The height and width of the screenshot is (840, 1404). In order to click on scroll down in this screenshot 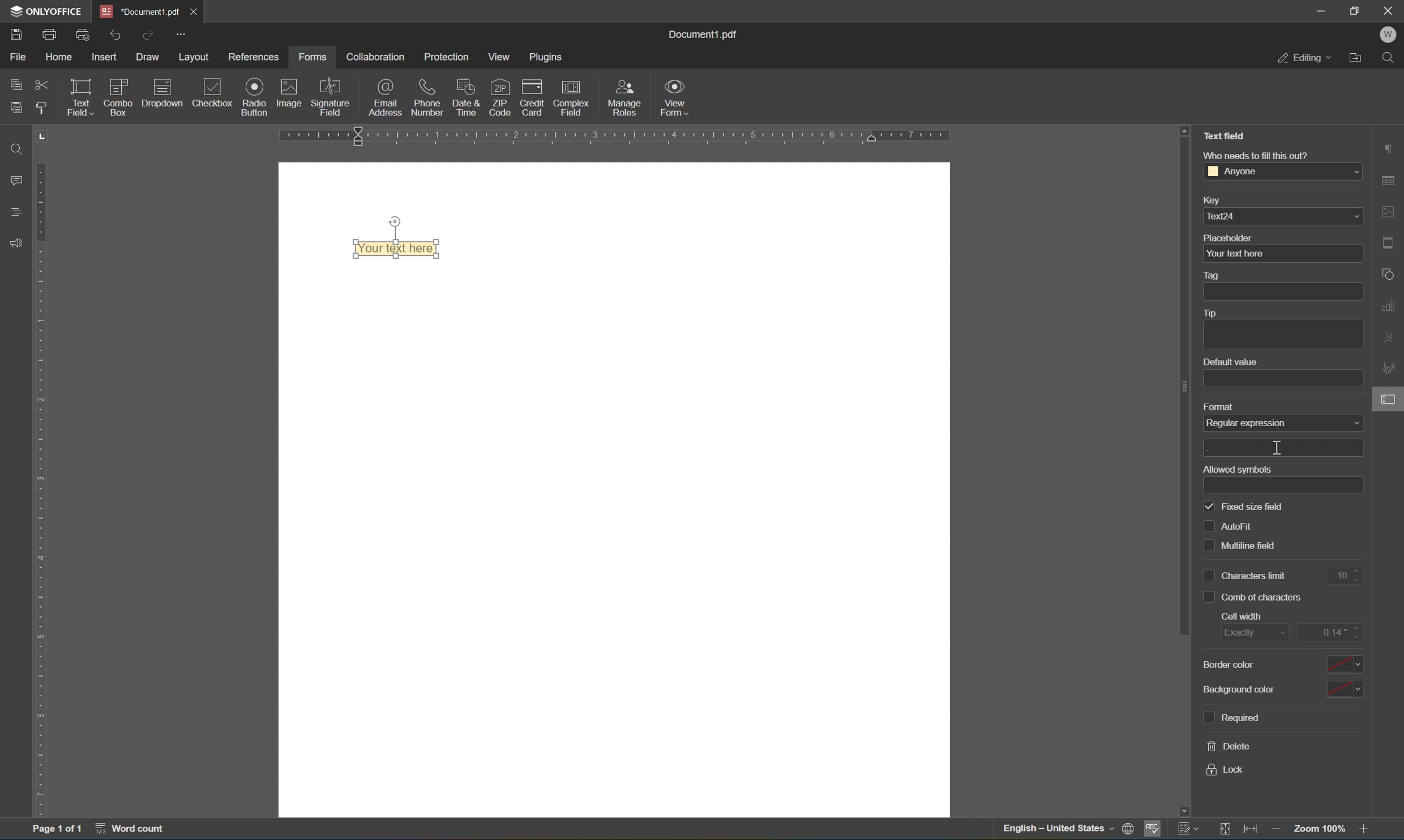, I will do `click(1183, 811)`.